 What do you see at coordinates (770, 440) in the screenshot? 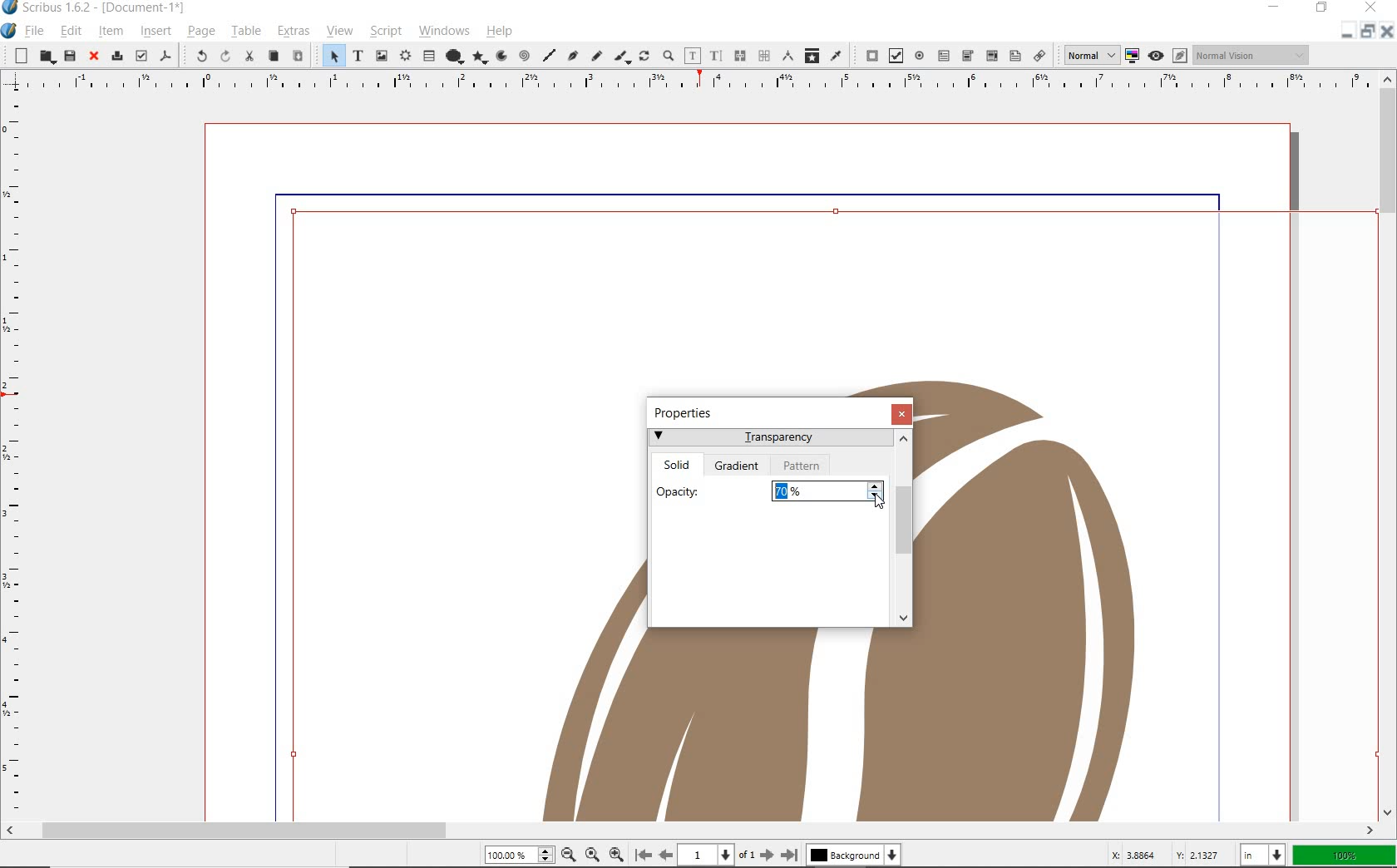
I see `Transparency` at bounding box center [770, 440].